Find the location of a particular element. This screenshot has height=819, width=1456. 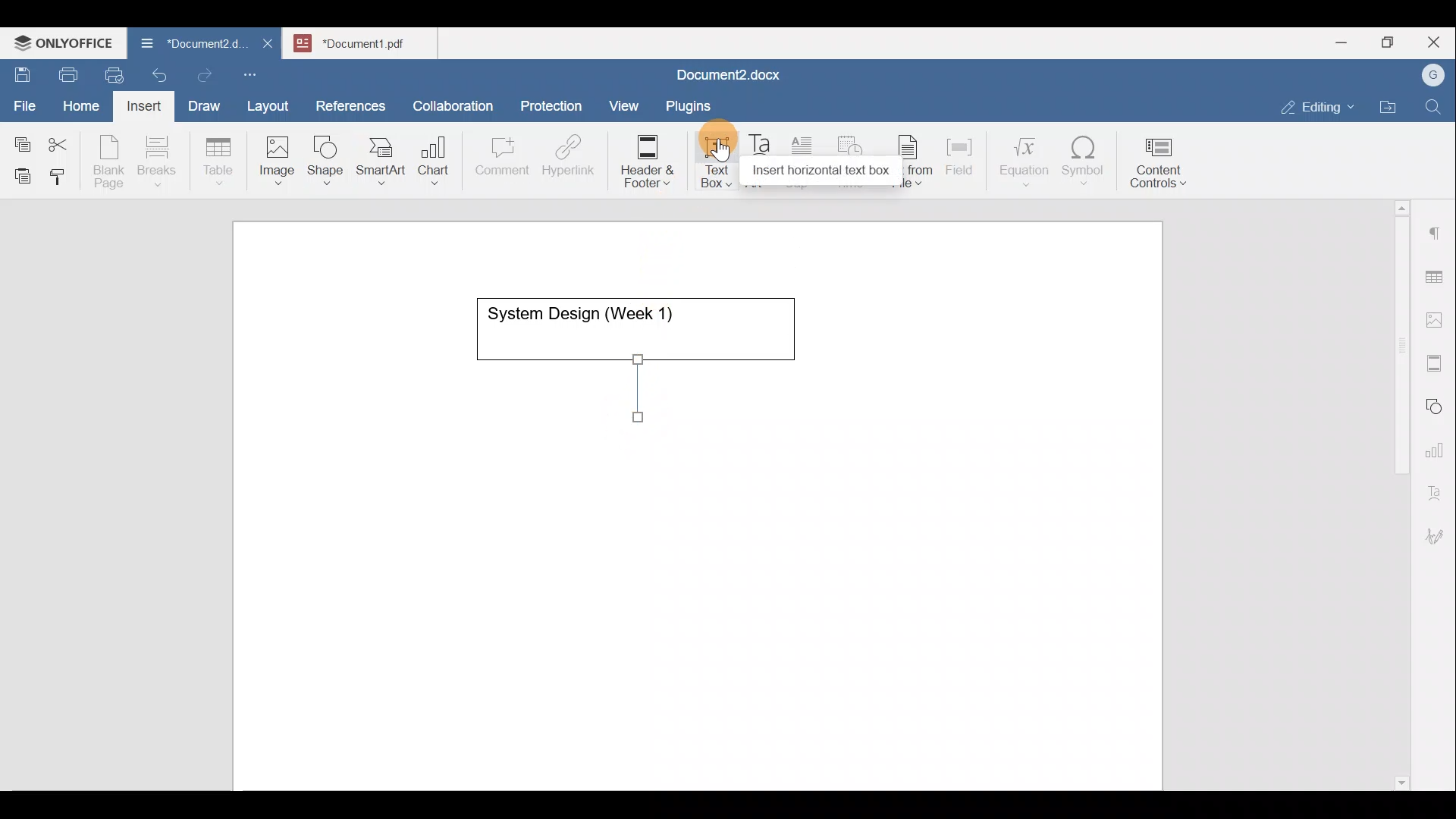

Table is located at coordinates (219, 158).